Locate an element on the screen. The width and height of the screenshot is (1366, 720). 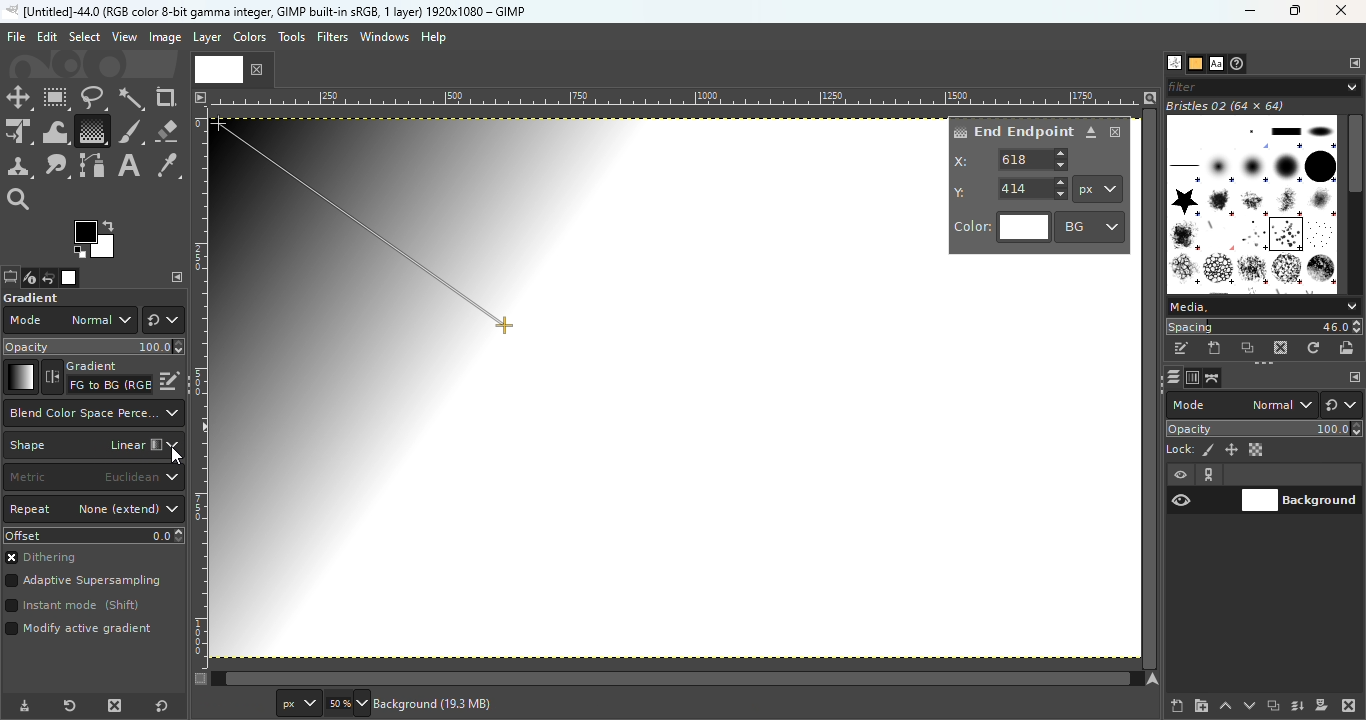
Tools is located at coordinates (294, 42).